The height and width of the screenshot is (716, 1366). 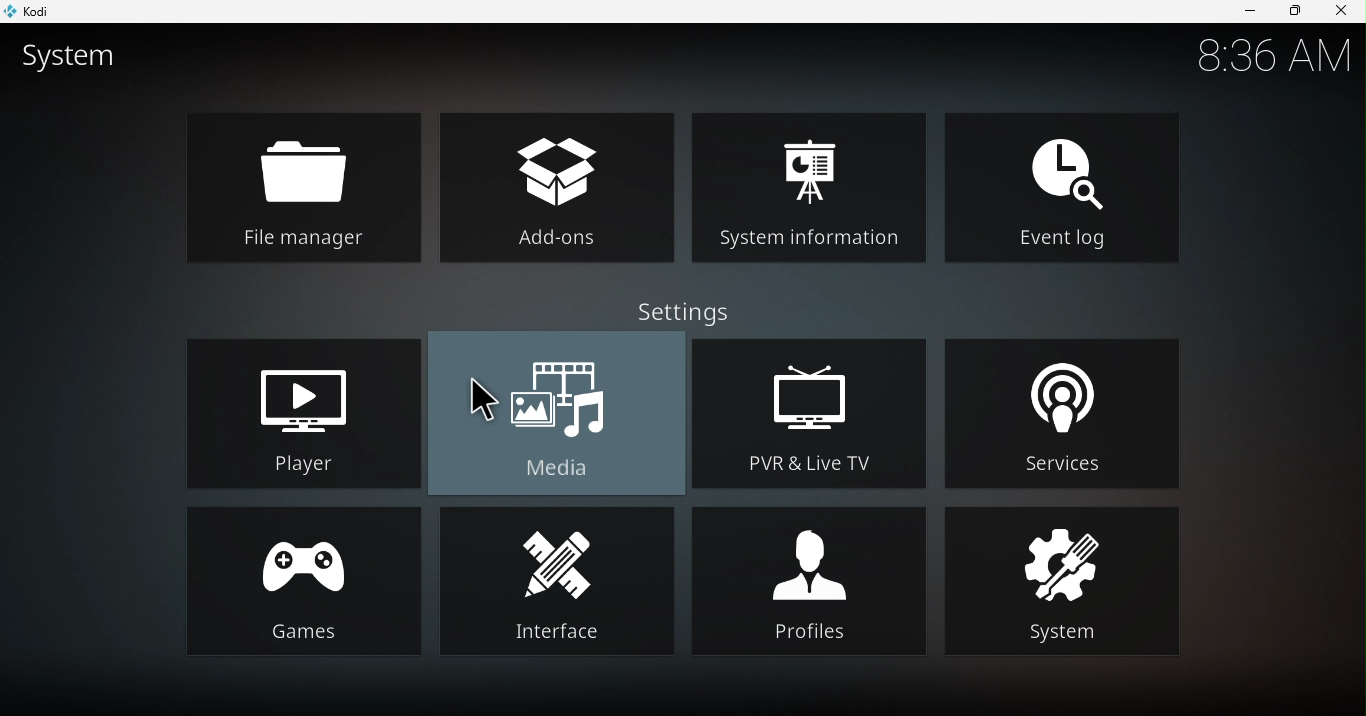 I want to click on System, so click(x=75, y=57).